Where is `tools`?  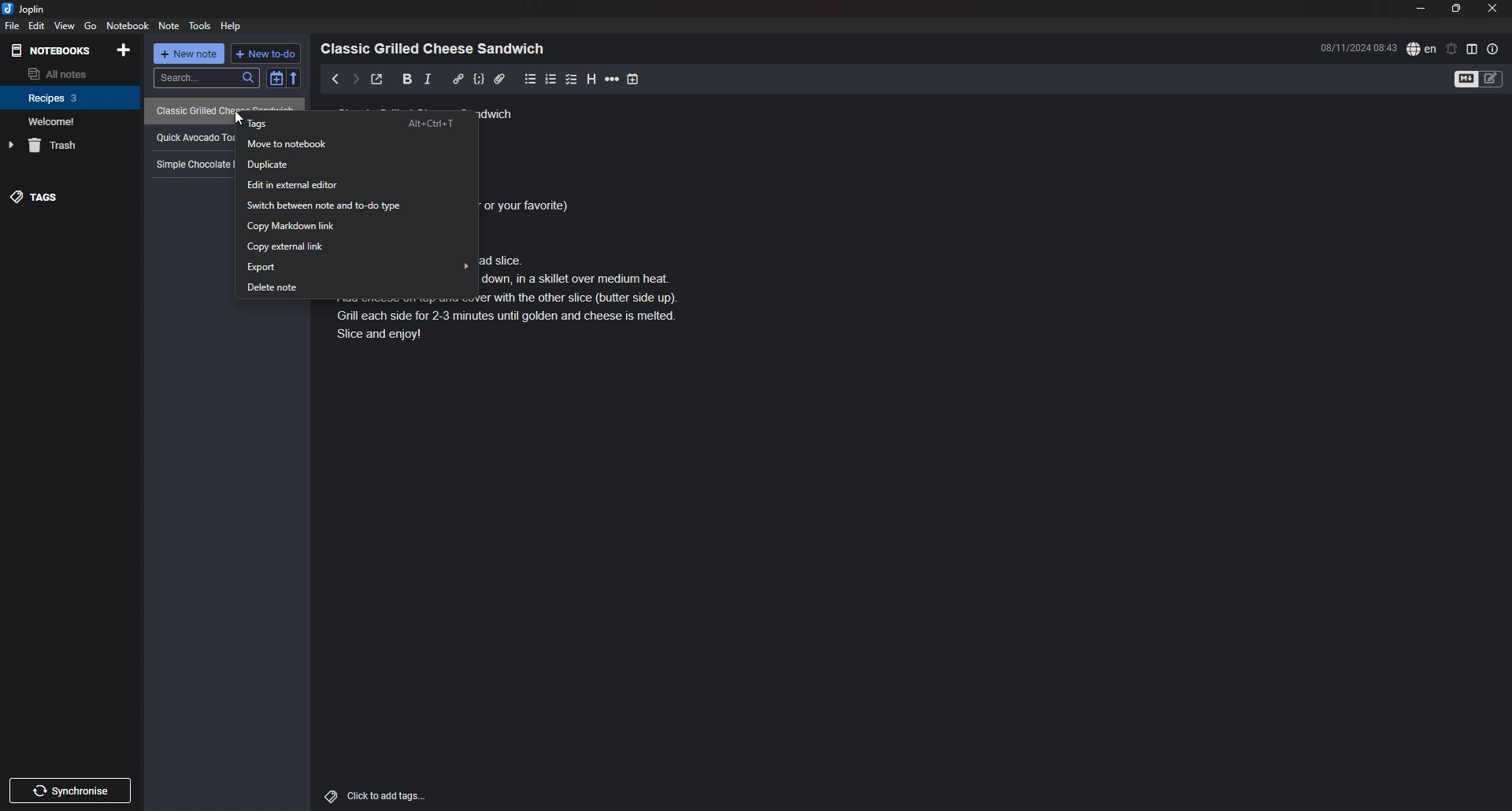 tools is located at coordinates (200, 25).